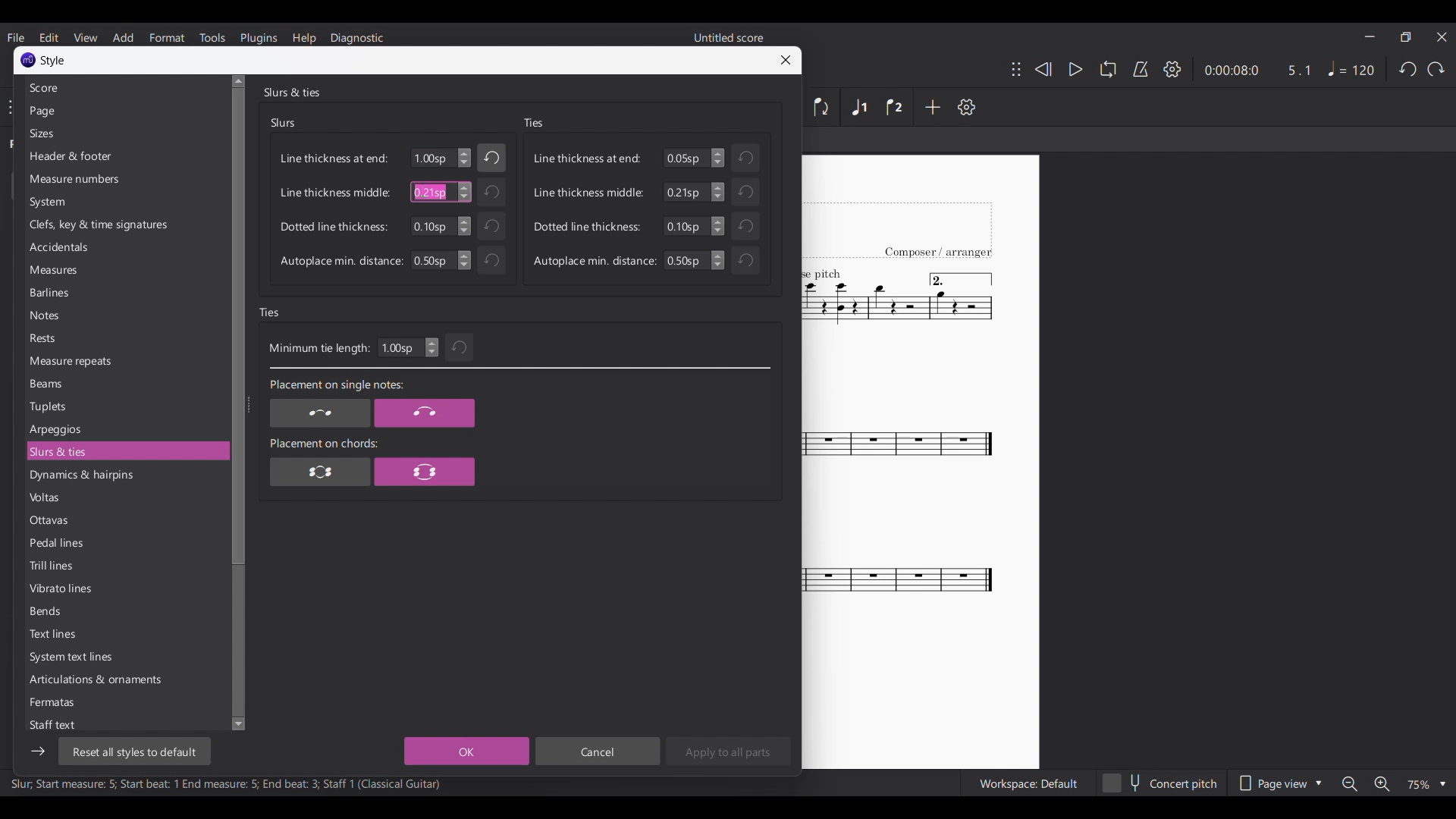  What do you see at coordinates (124, 406) in the screenshot?
I see `Tuplets` at bounding box center [124, 406].